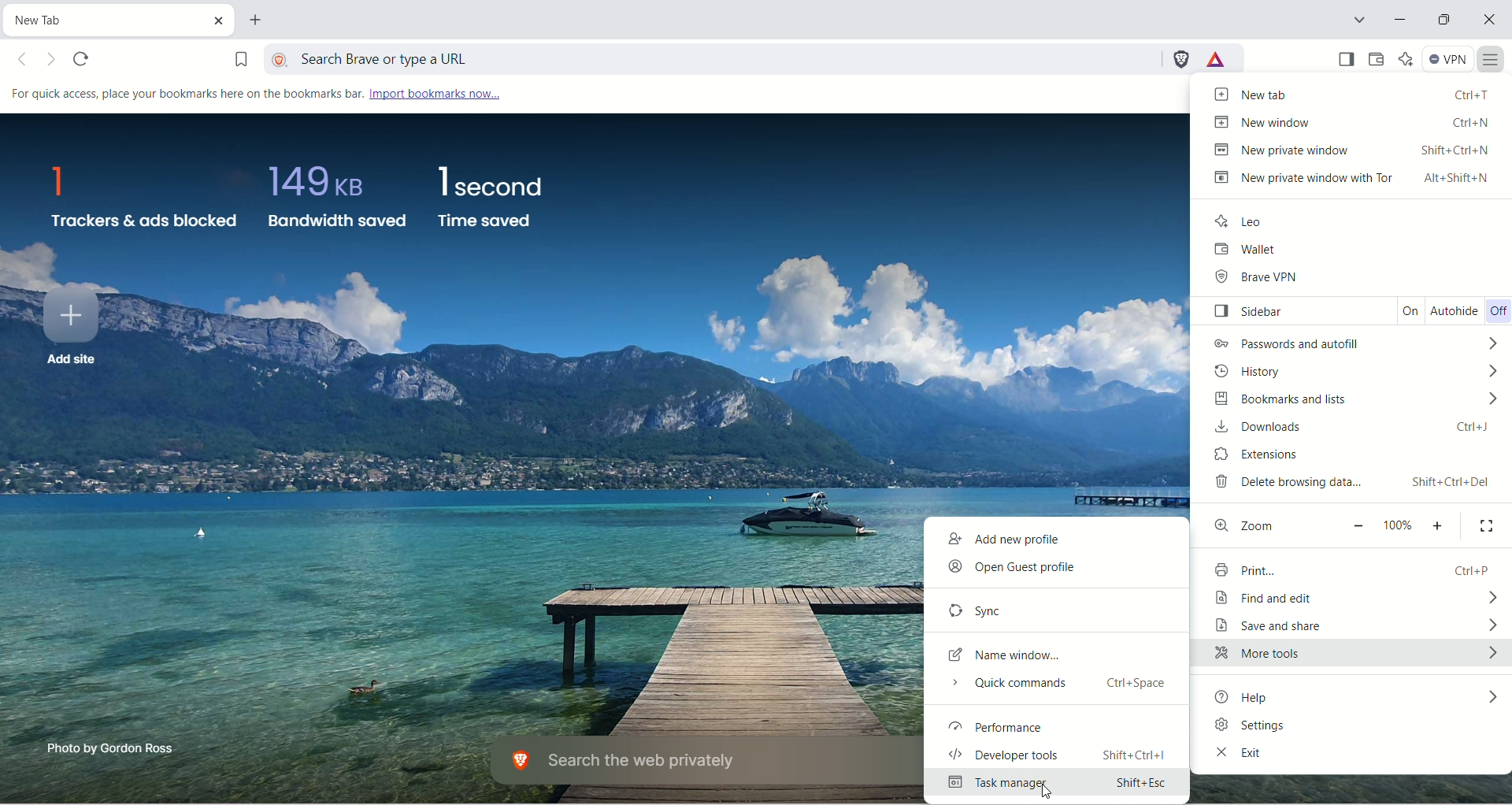 This screenshot has height=805, width=1512. Describe the element at coordinates (1353, 370) in the screenshot. I see `history` at that location.